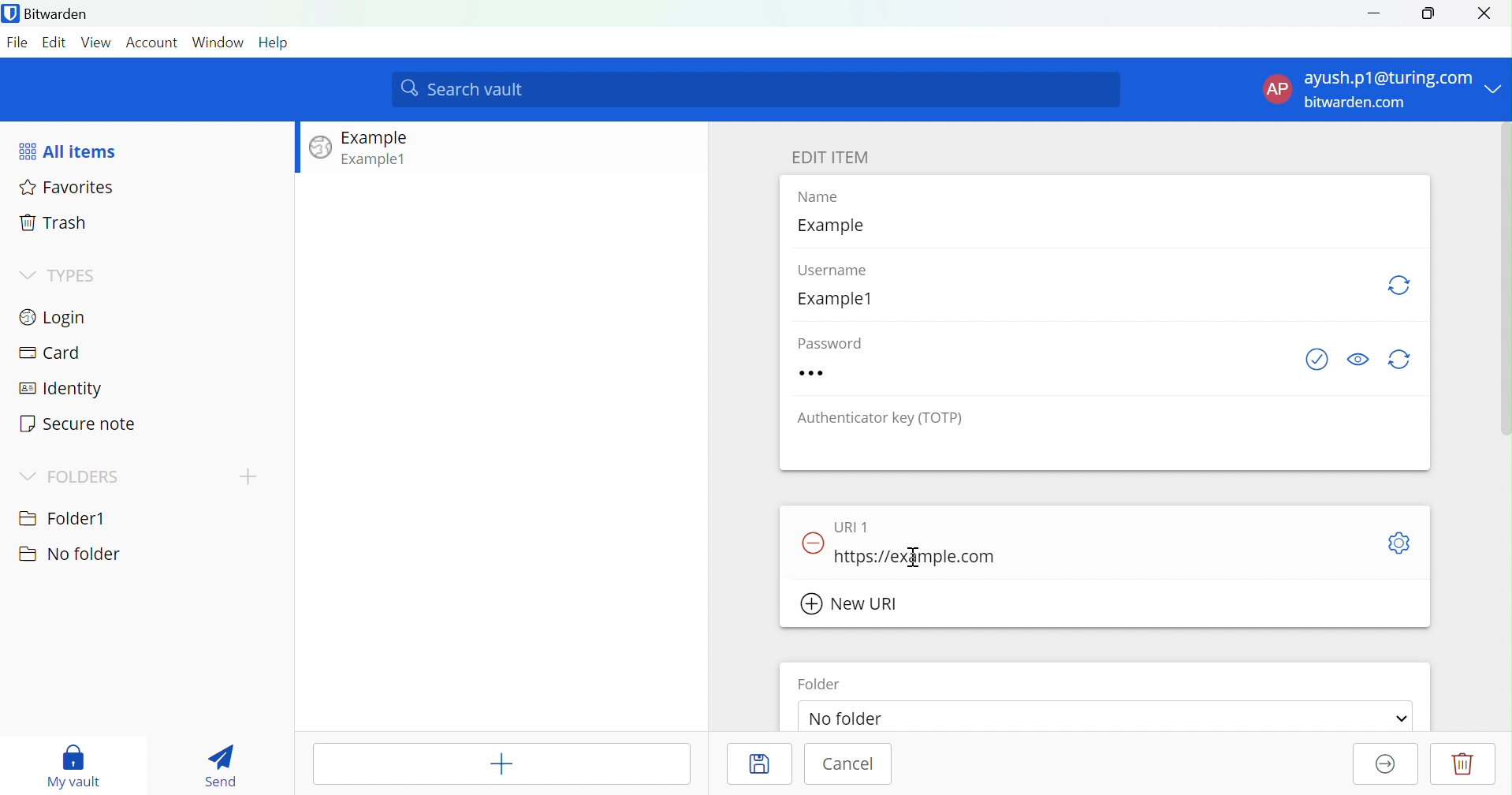 This screenshot has width=1512, height=795. I want to click on Example1, so click(843, 299).